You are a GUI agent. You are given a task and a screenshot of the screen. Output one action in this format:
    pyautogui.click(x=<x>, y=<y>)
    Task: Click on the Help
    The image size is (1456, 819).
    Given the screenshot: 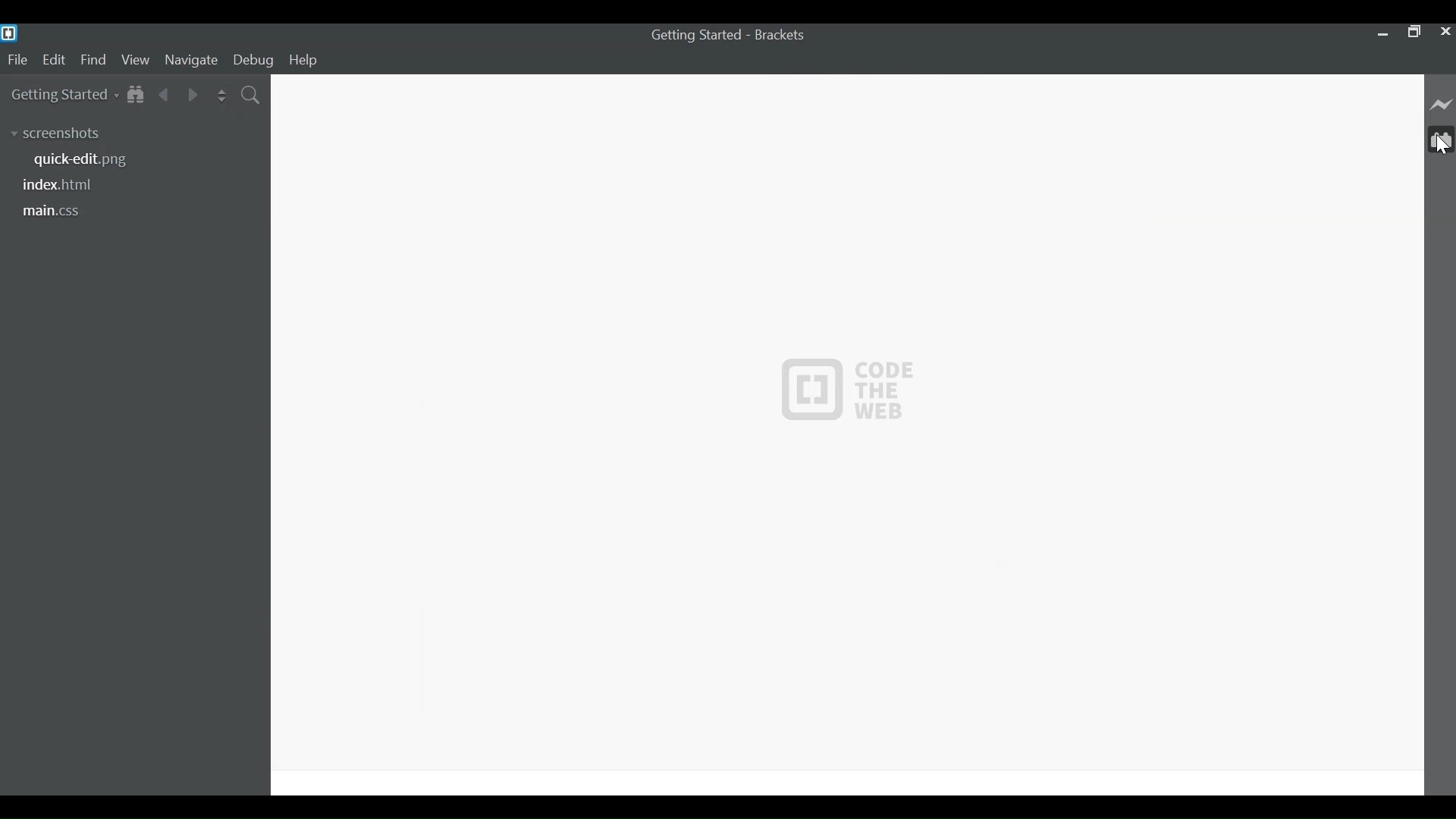 What is the action you would take?
    pyautogui.click(x=304, y=61)
    